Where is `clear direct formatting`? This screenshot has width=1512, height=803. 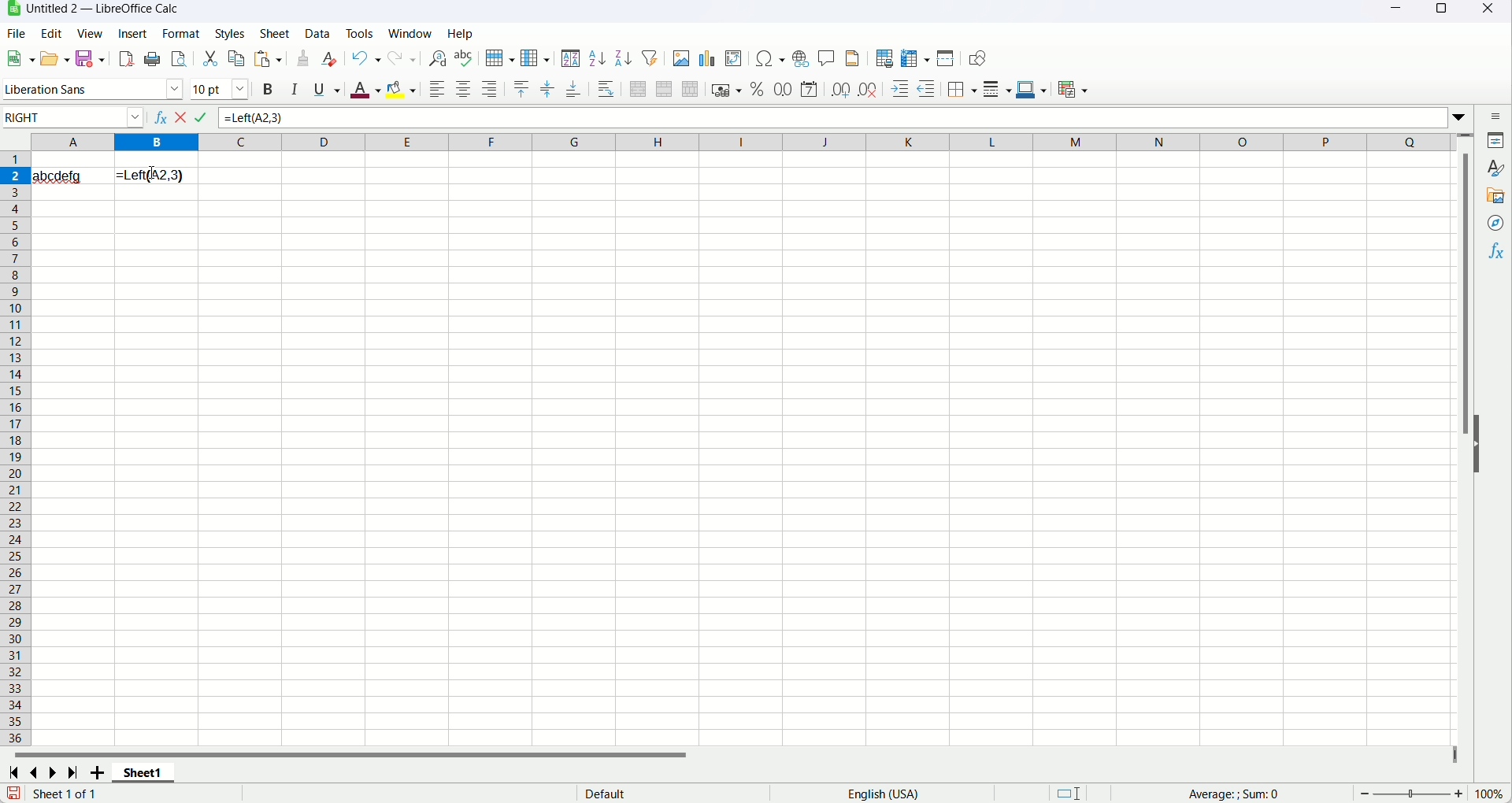 clear direct formatting is located at coordinates (328, 60).